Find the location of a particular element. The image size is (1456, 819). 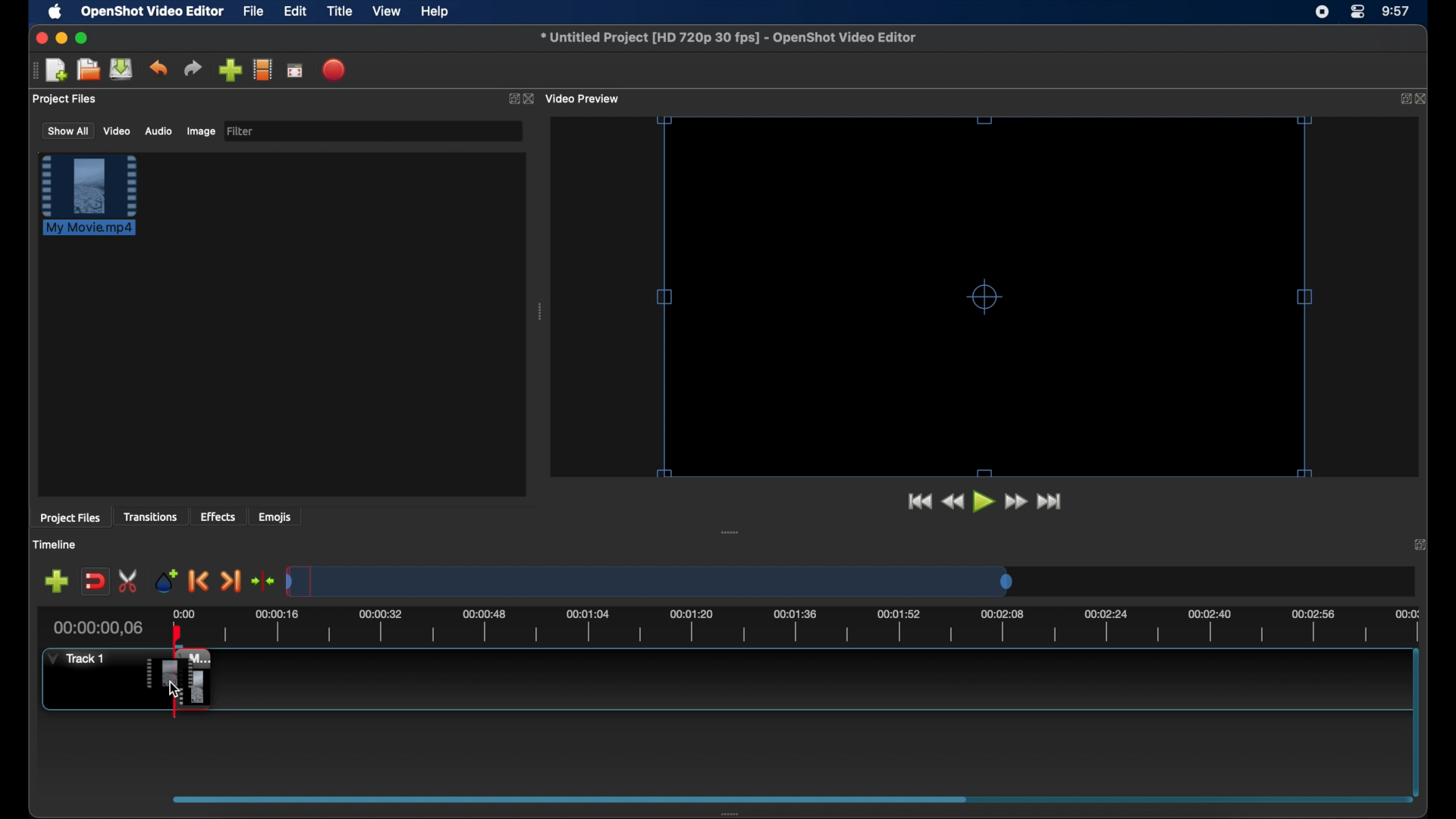

redo is located at coordinates (193, 68).